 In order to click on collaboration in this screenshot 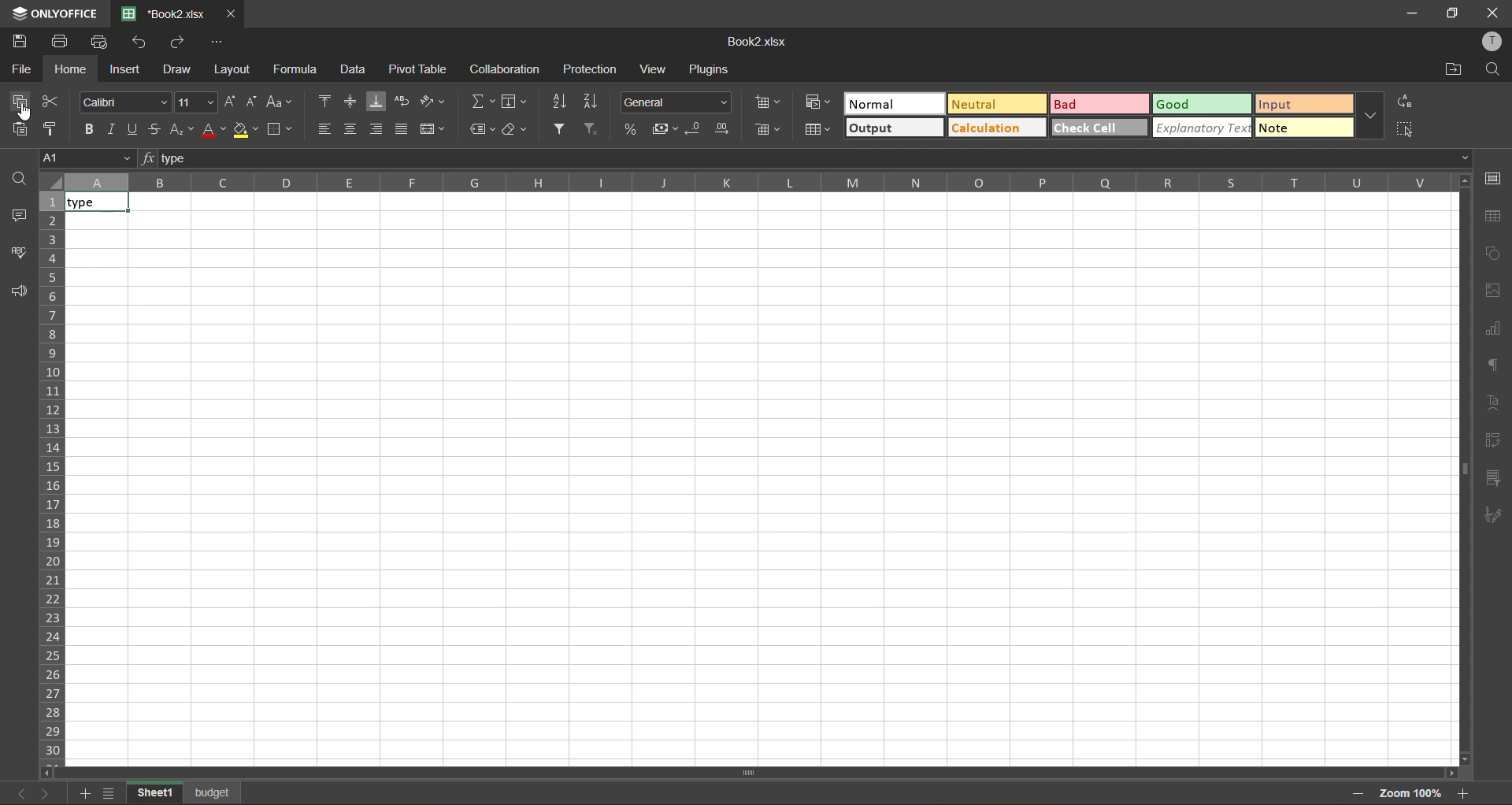, I will do `click(502, 72)`.